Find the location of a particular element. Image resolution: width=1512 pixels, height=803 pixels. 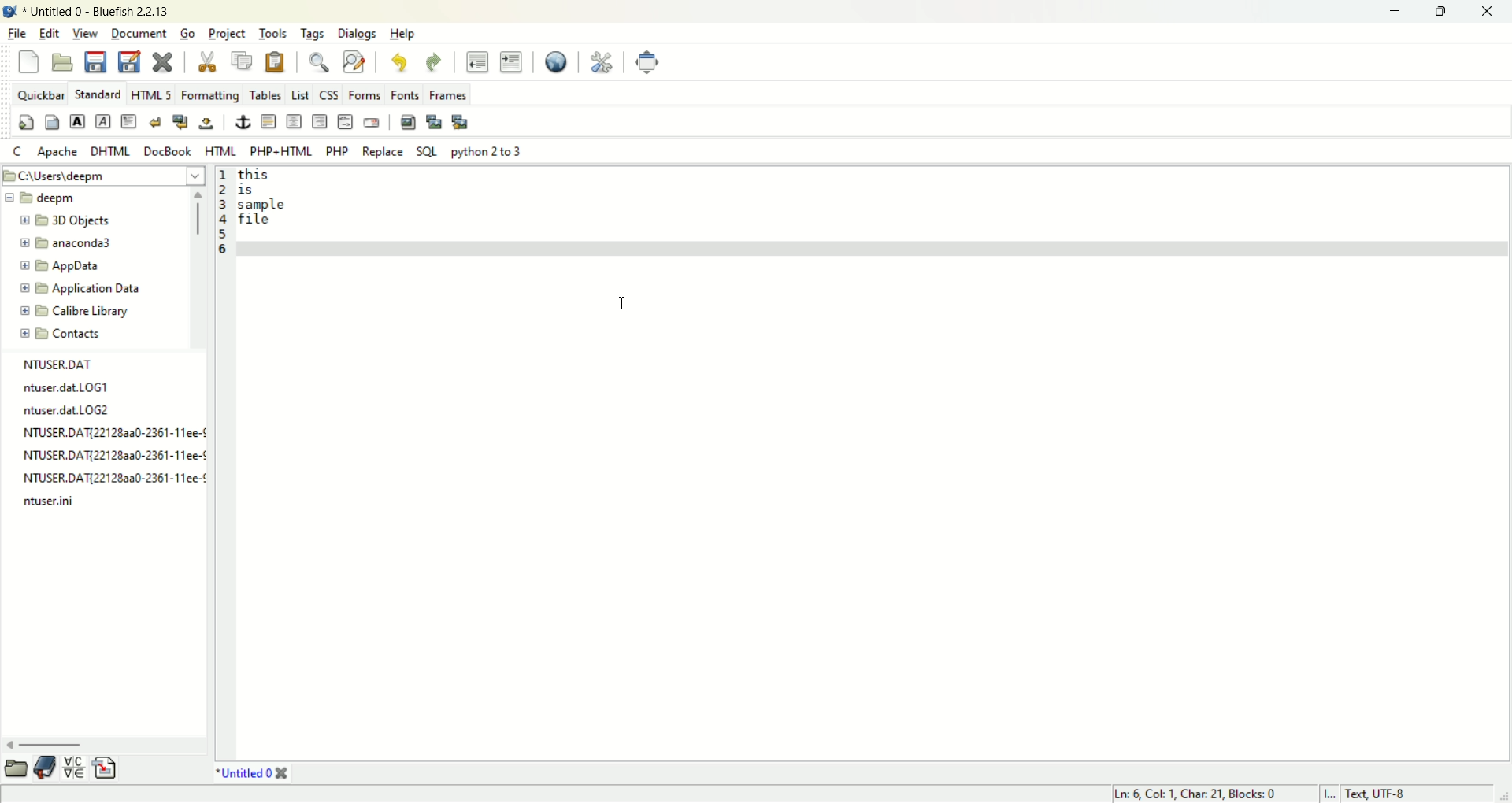

HTML is located at coordinates (222, 151).